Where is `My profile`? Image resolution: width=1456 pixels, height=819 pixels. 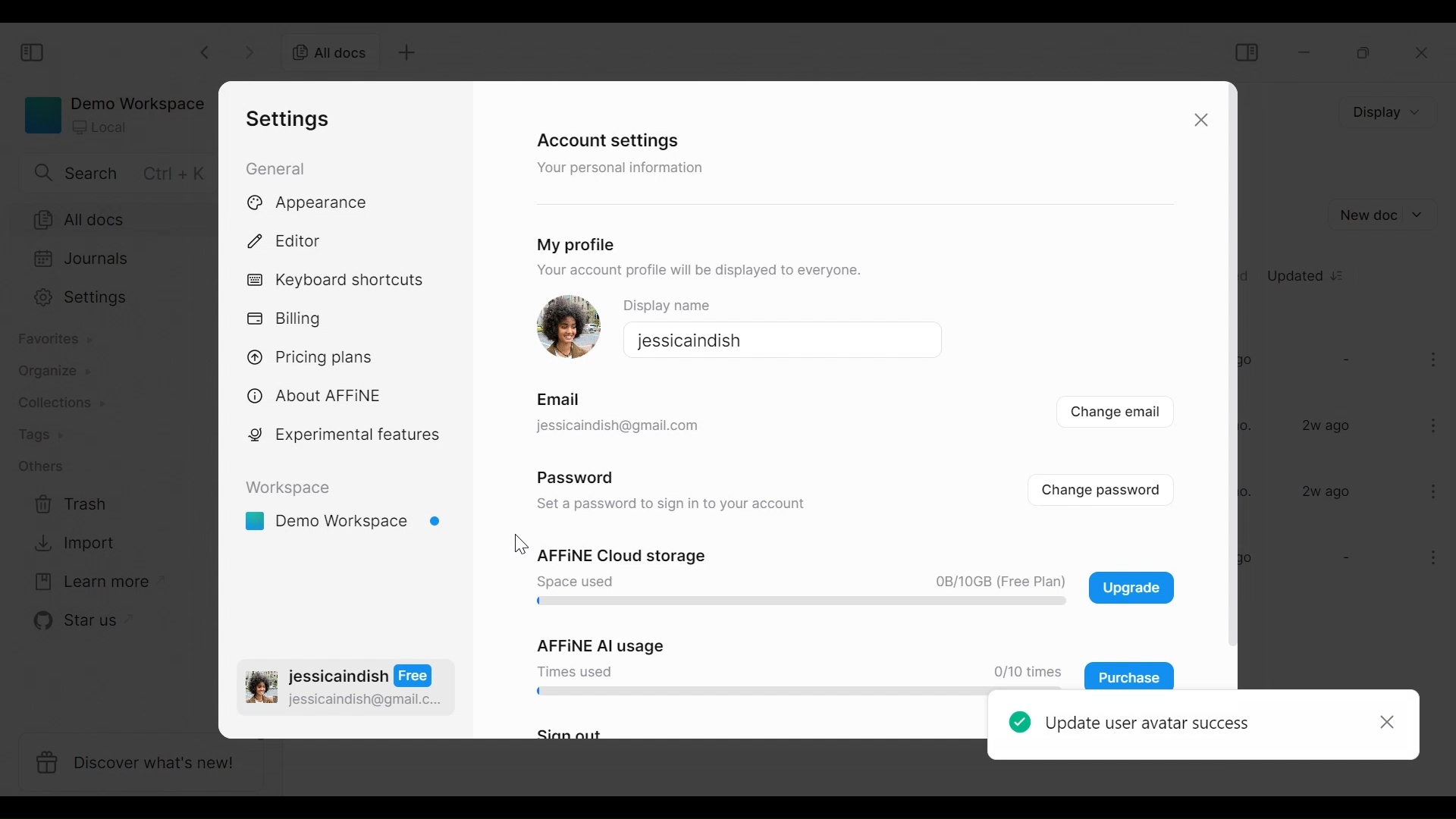 My profile is located at coordinates (575, 245).